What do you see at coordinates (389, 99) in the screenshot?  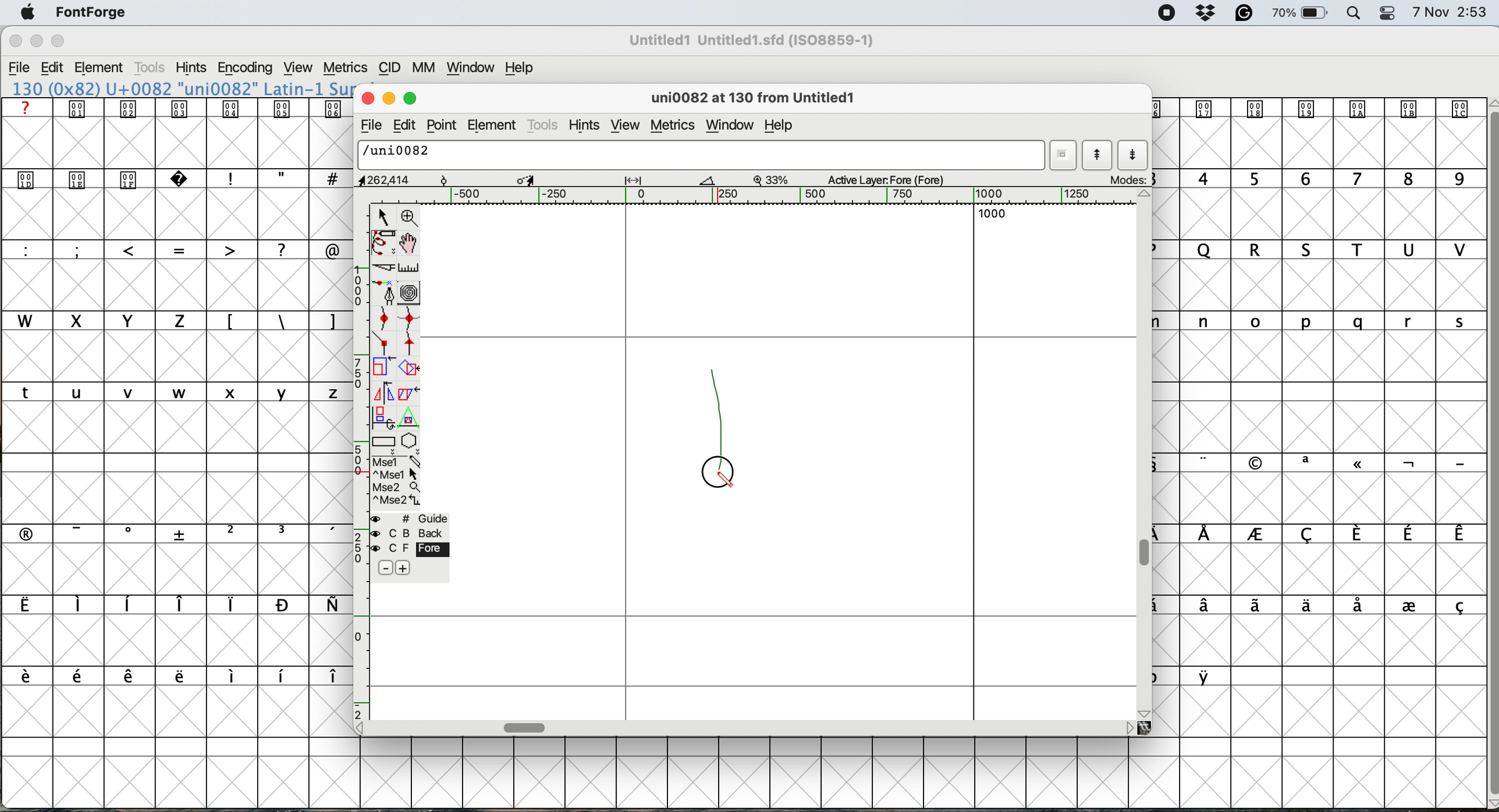 I see `minimise` at bounding box center [389, 99].